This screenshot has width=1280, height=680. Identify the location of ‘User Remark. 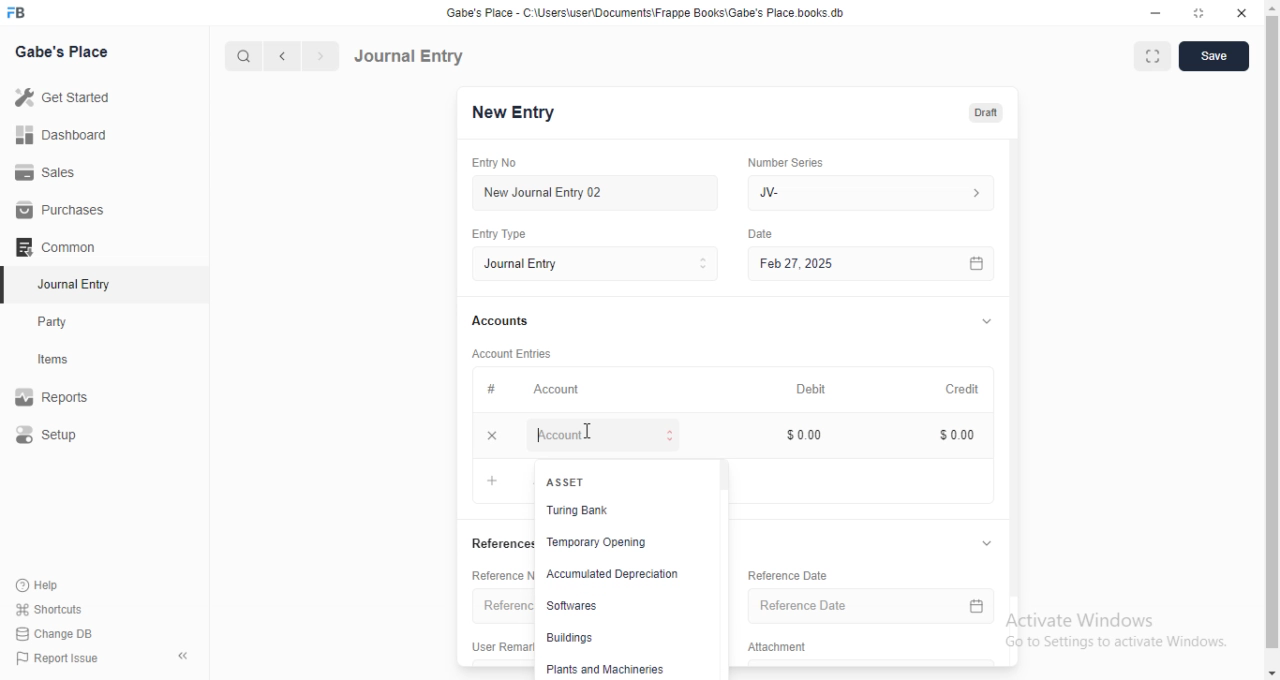
(499, 645).